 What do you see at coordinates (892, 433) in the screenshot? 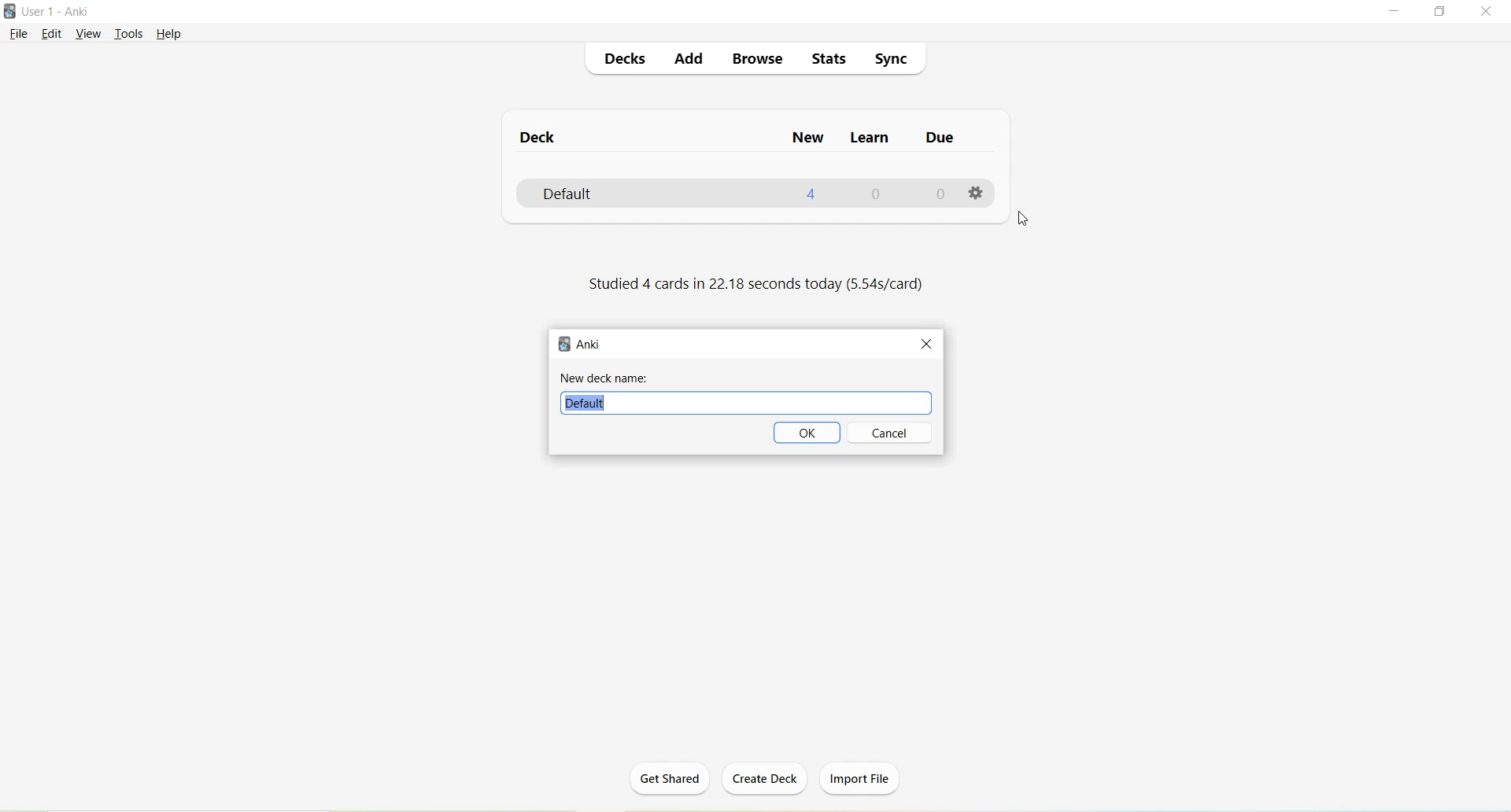
I see `Cancel` at bounding box center [892, 433].